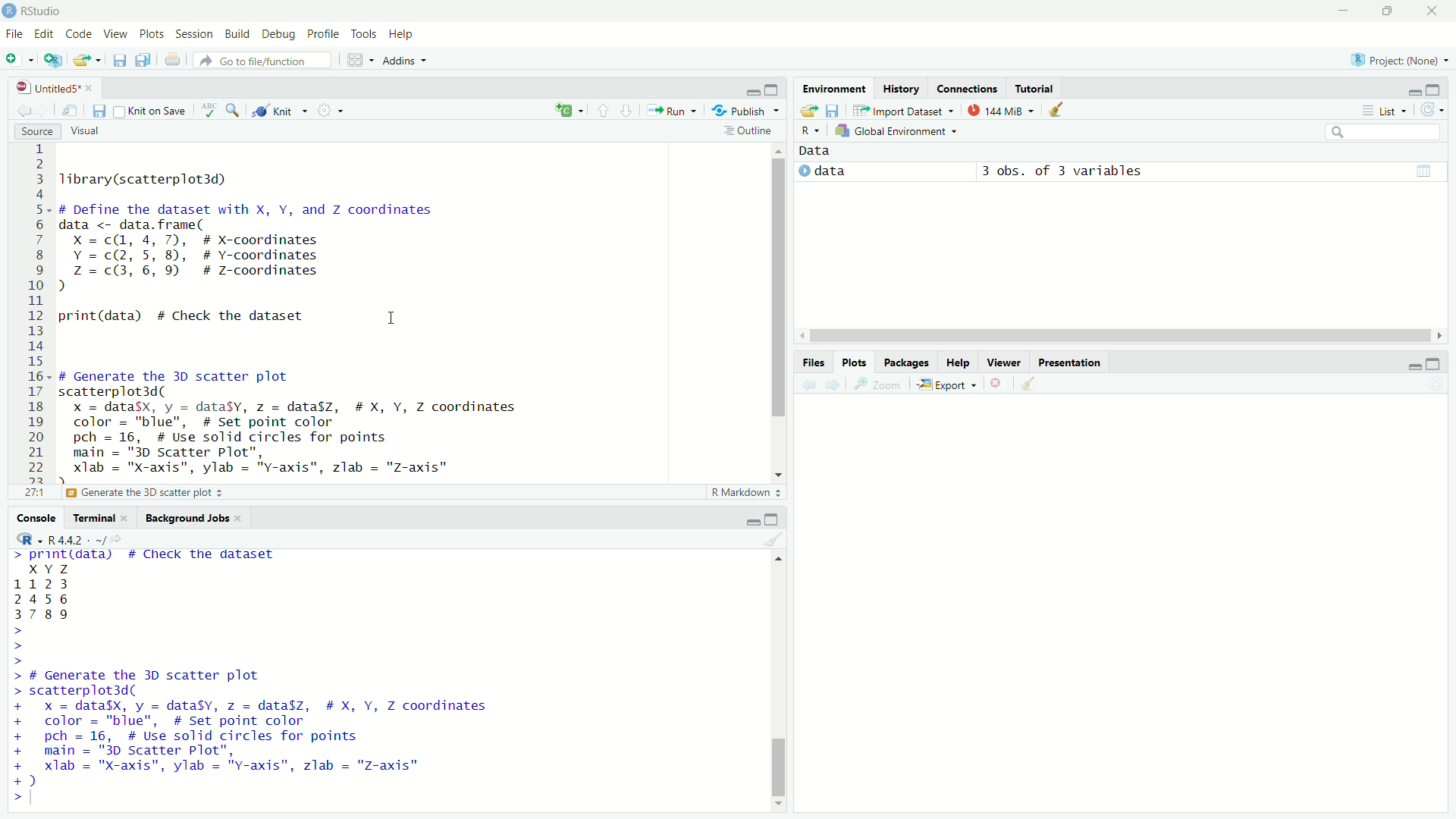  Describe the element at coordinates (38, 519) in the screenshot. I see `Console` at that location.